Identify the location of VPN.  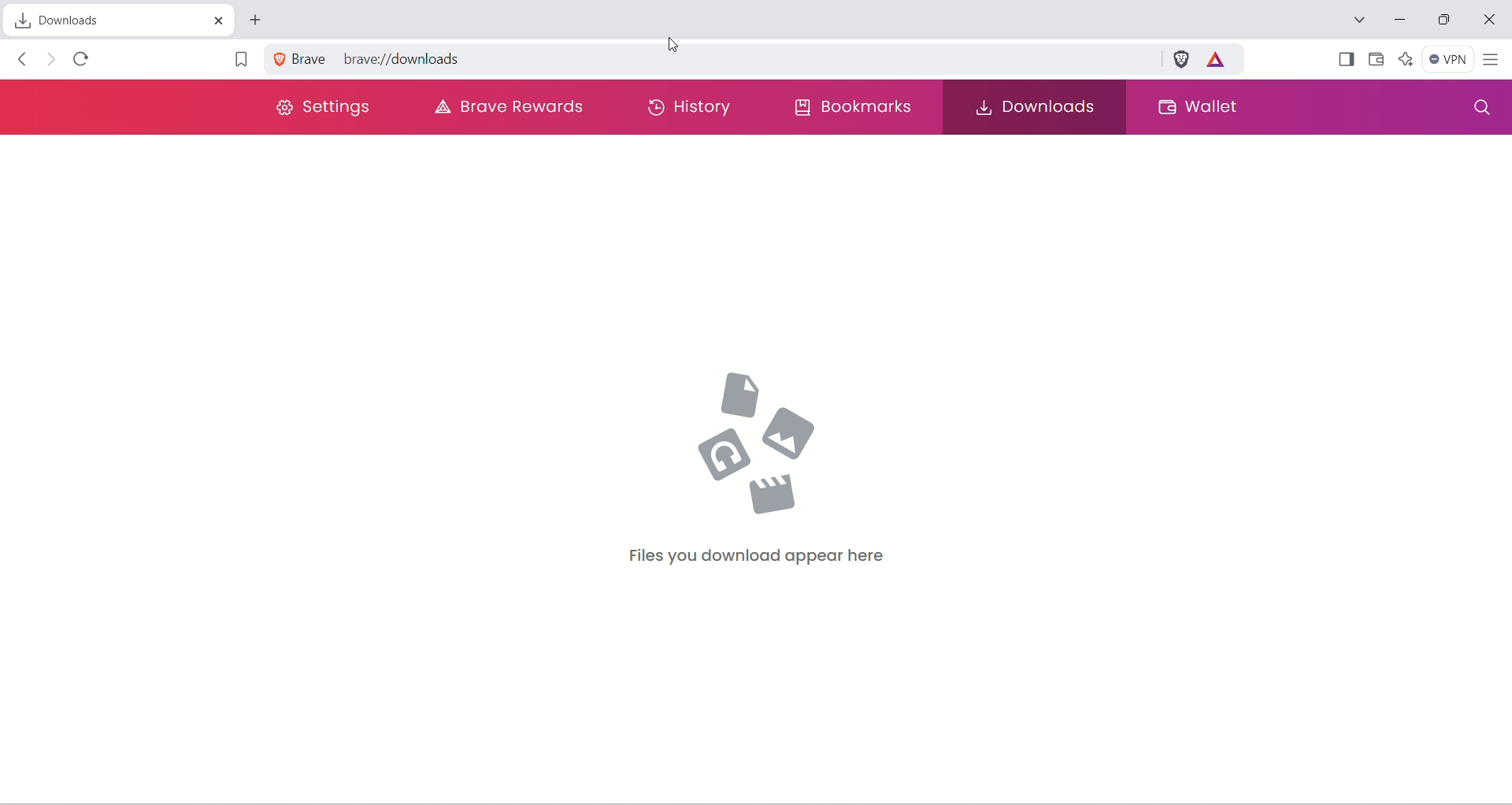
(1451, 61).